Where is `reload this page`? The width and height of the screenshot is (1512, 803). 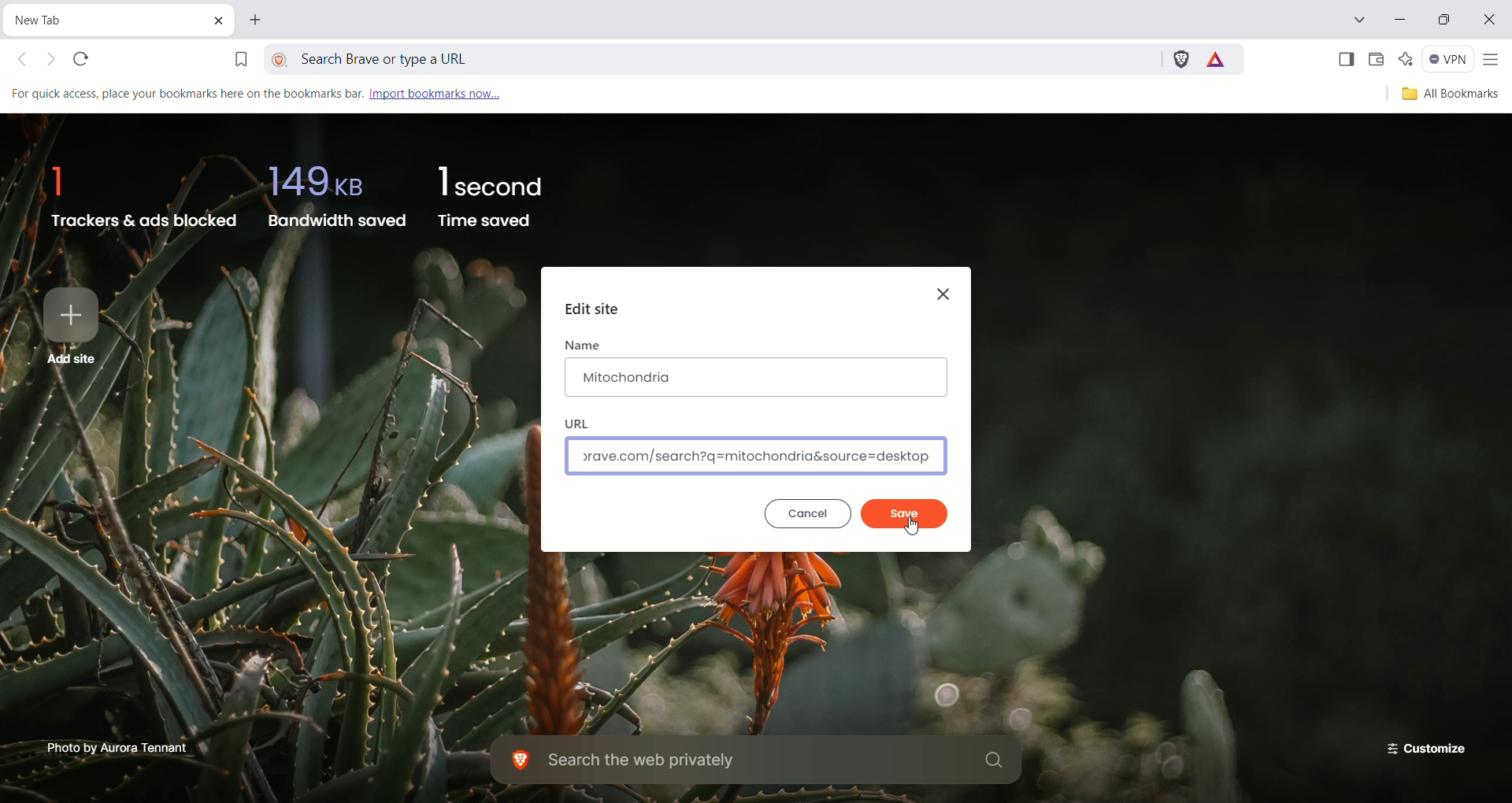
reload this page is located at coordinates (83, 60).